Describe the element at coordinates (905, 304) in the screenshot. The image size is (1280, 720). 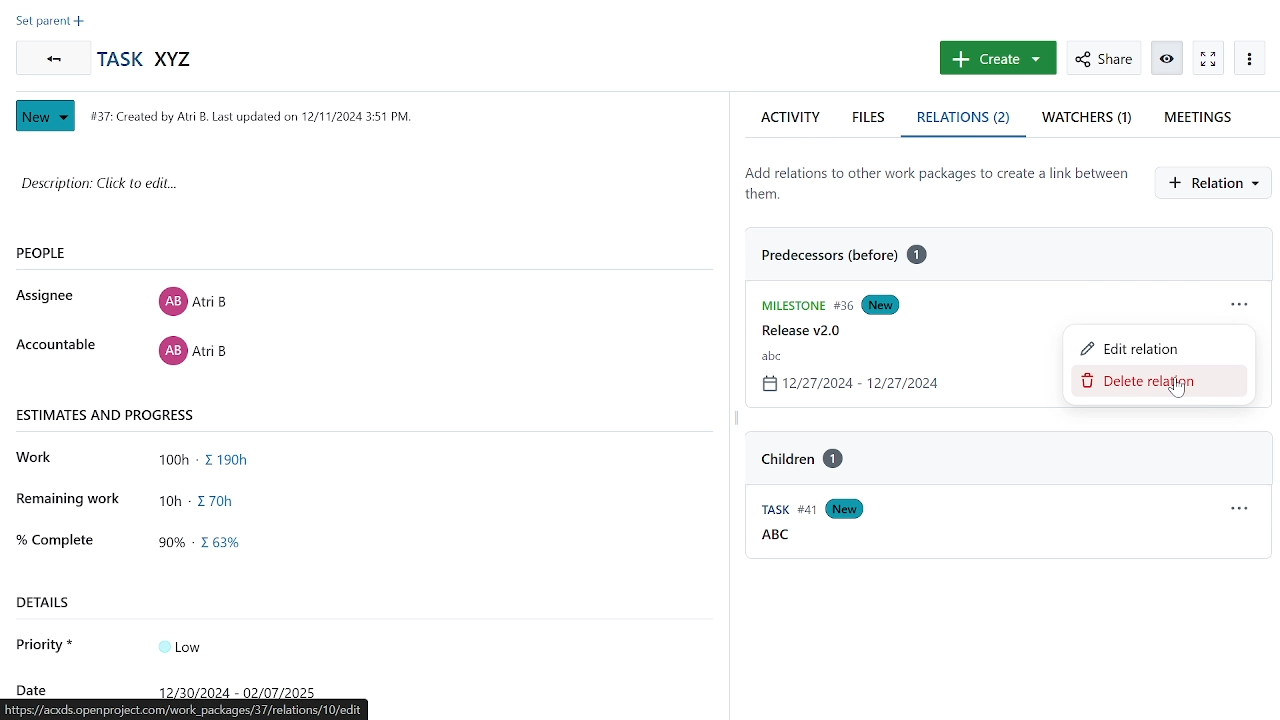
I see `New` at that location.